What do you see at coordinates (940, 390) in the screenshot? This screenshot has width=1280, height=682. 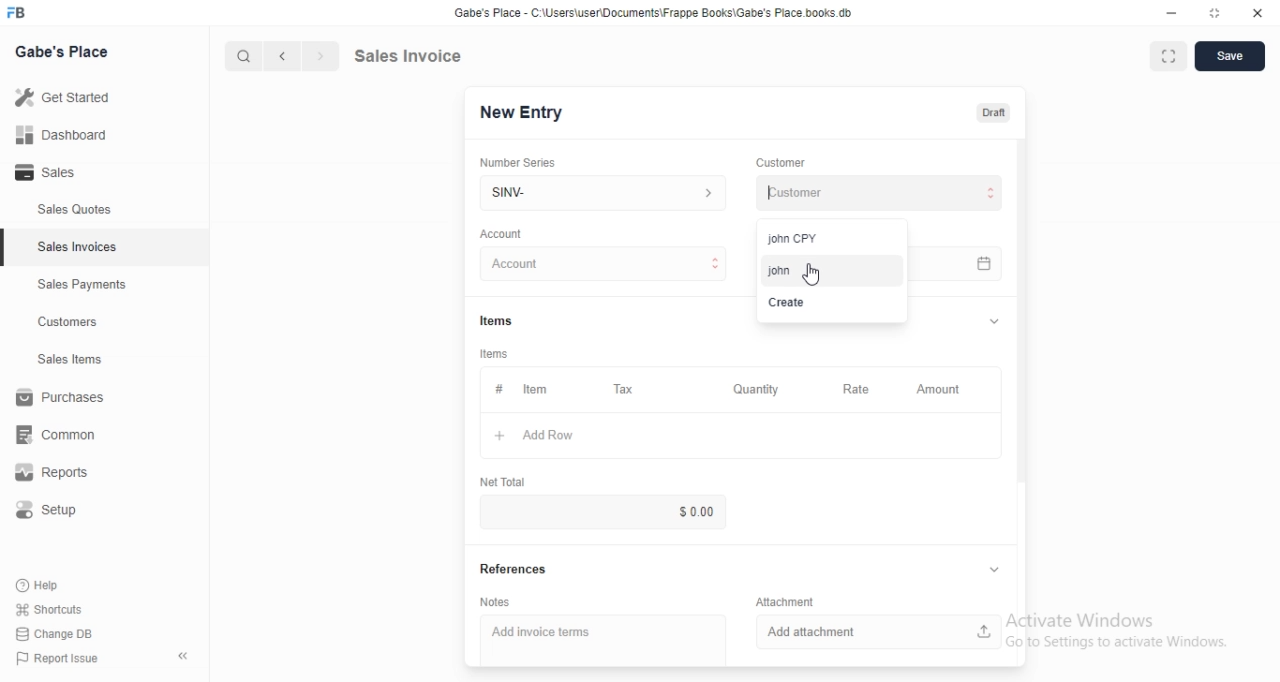 I see `‘Amount` at bounding box center [940, 390].